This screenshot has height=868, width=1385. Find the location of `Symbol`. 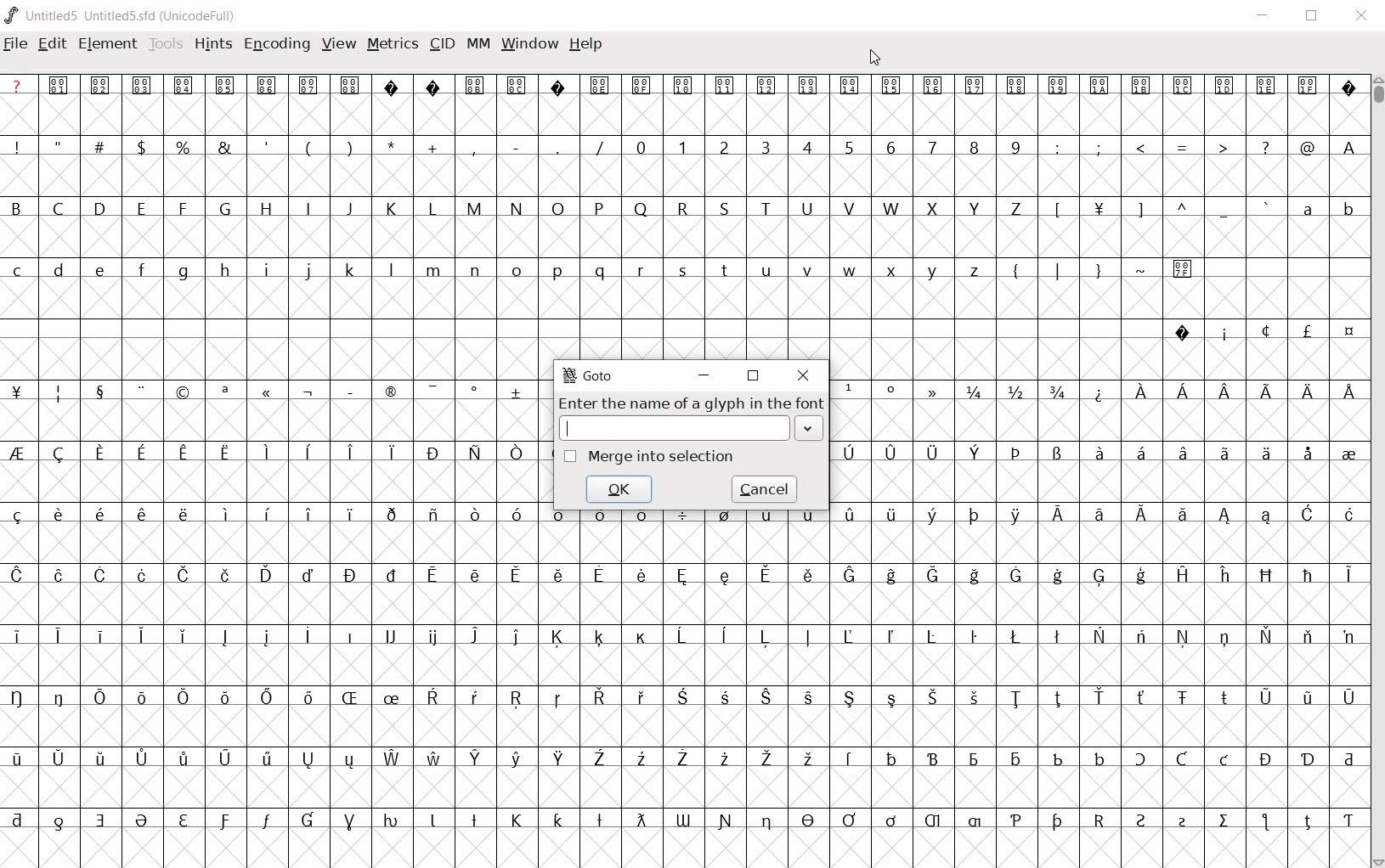

Symbol is located at coordinates (1309, 759).